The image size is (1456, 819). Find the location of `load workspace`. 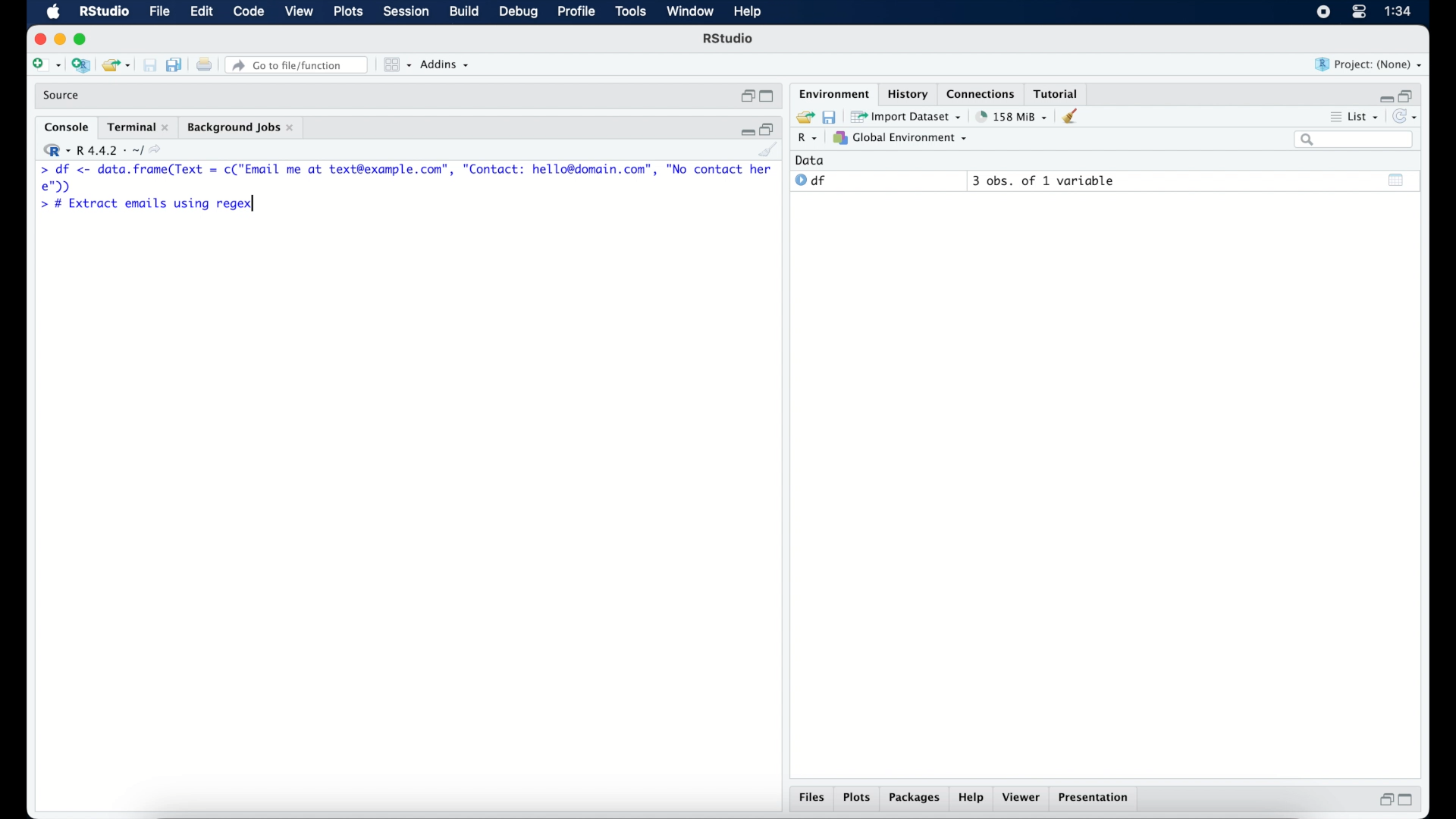

load workspace is located at coordinates (805, 115).